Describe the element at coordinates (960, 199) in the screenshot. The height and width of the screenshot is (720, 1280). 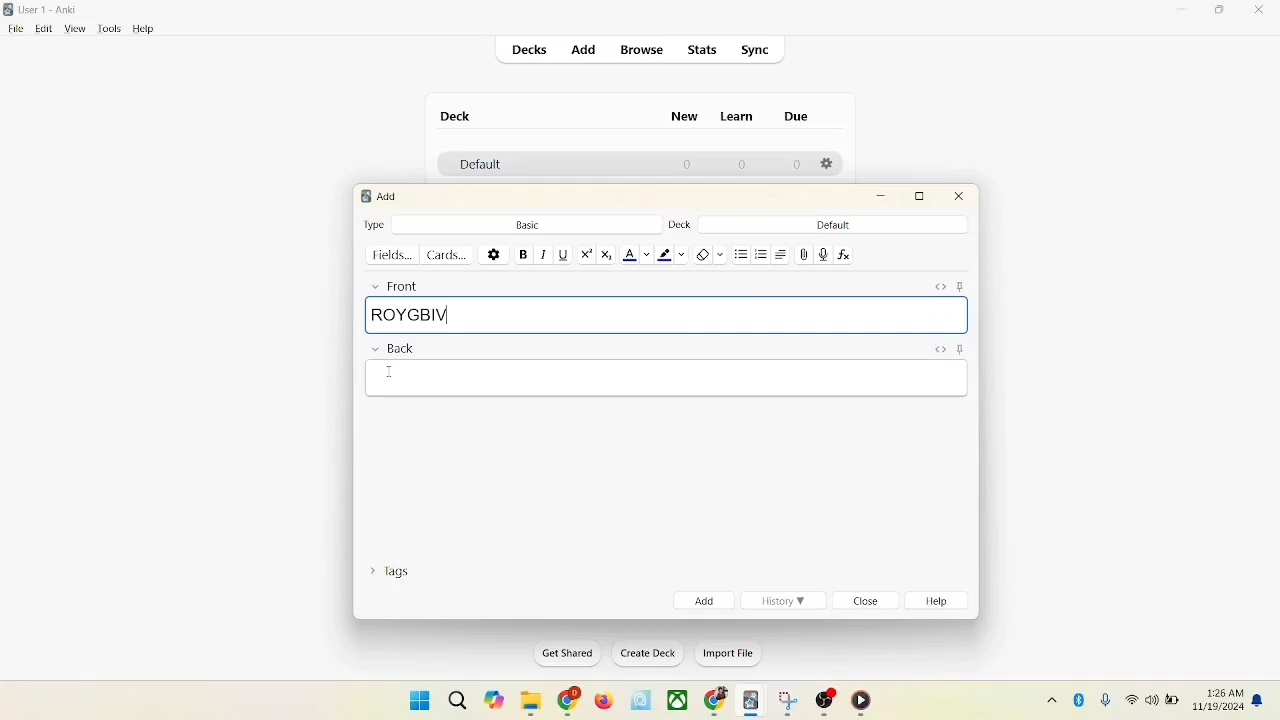
I see `close` at that location.